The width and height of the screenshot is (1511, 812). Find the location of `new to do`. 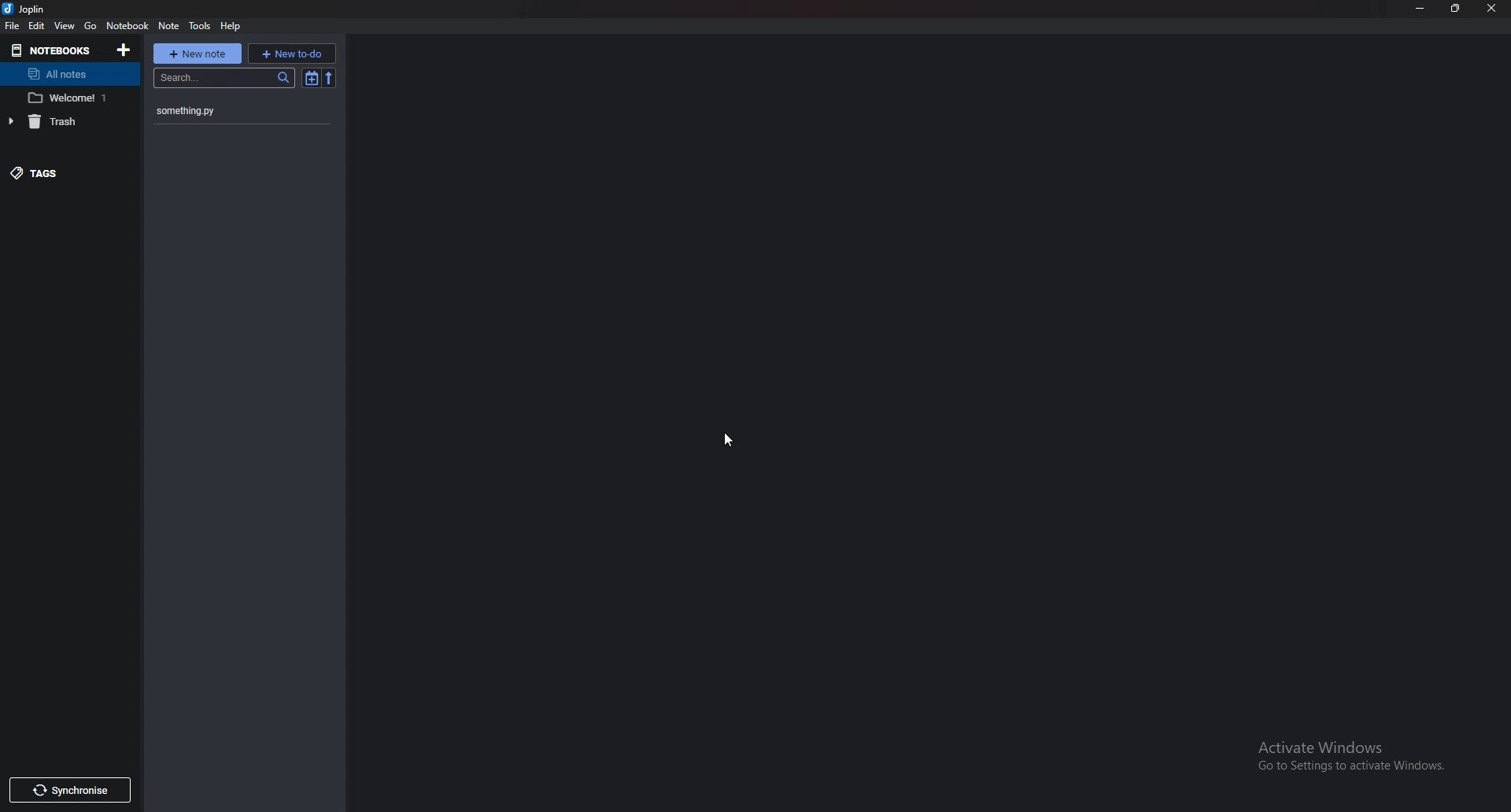

new to do is located at coordinates (294, 53).